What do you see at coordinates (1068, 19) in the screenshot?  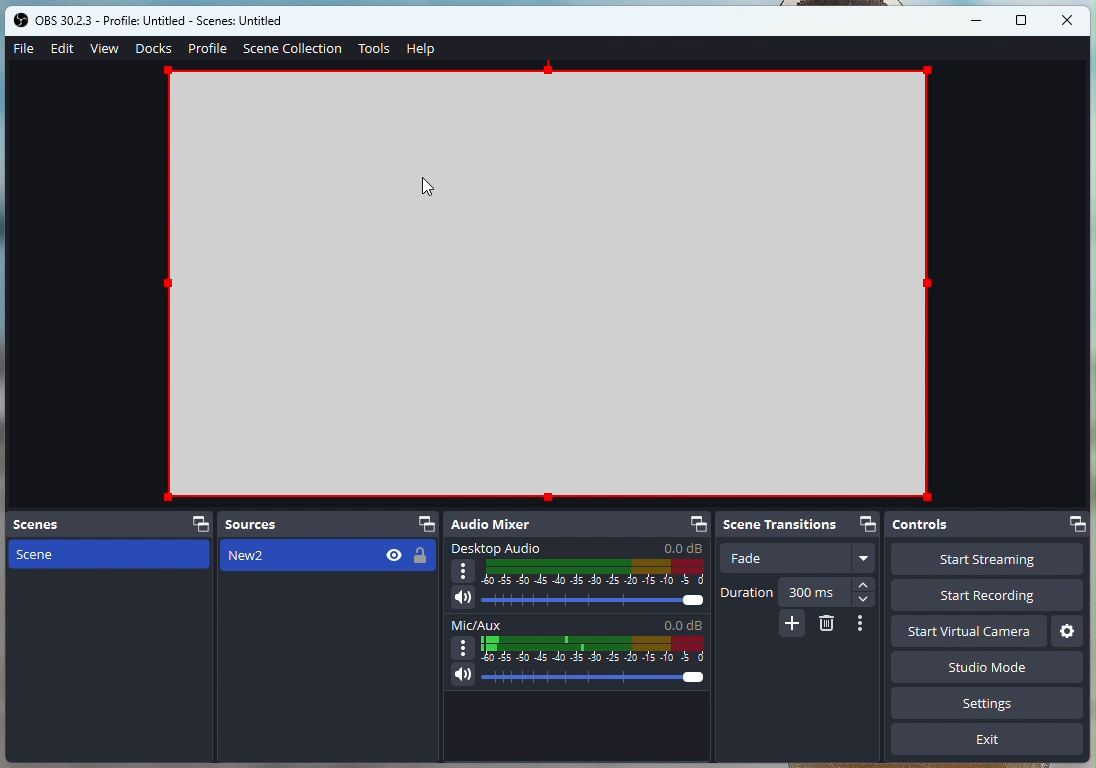 I see `close` at bounding box center [1068, 19].